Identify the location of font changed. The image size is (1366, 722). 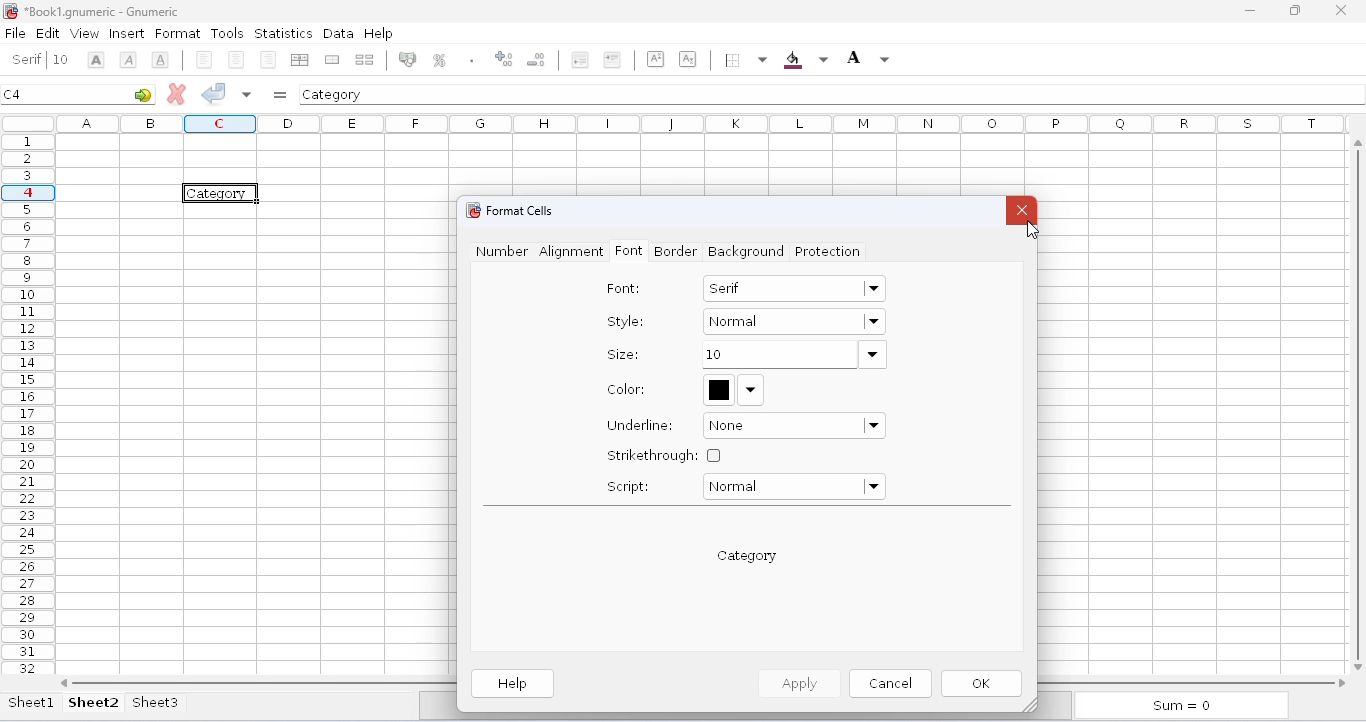
(221, 194).